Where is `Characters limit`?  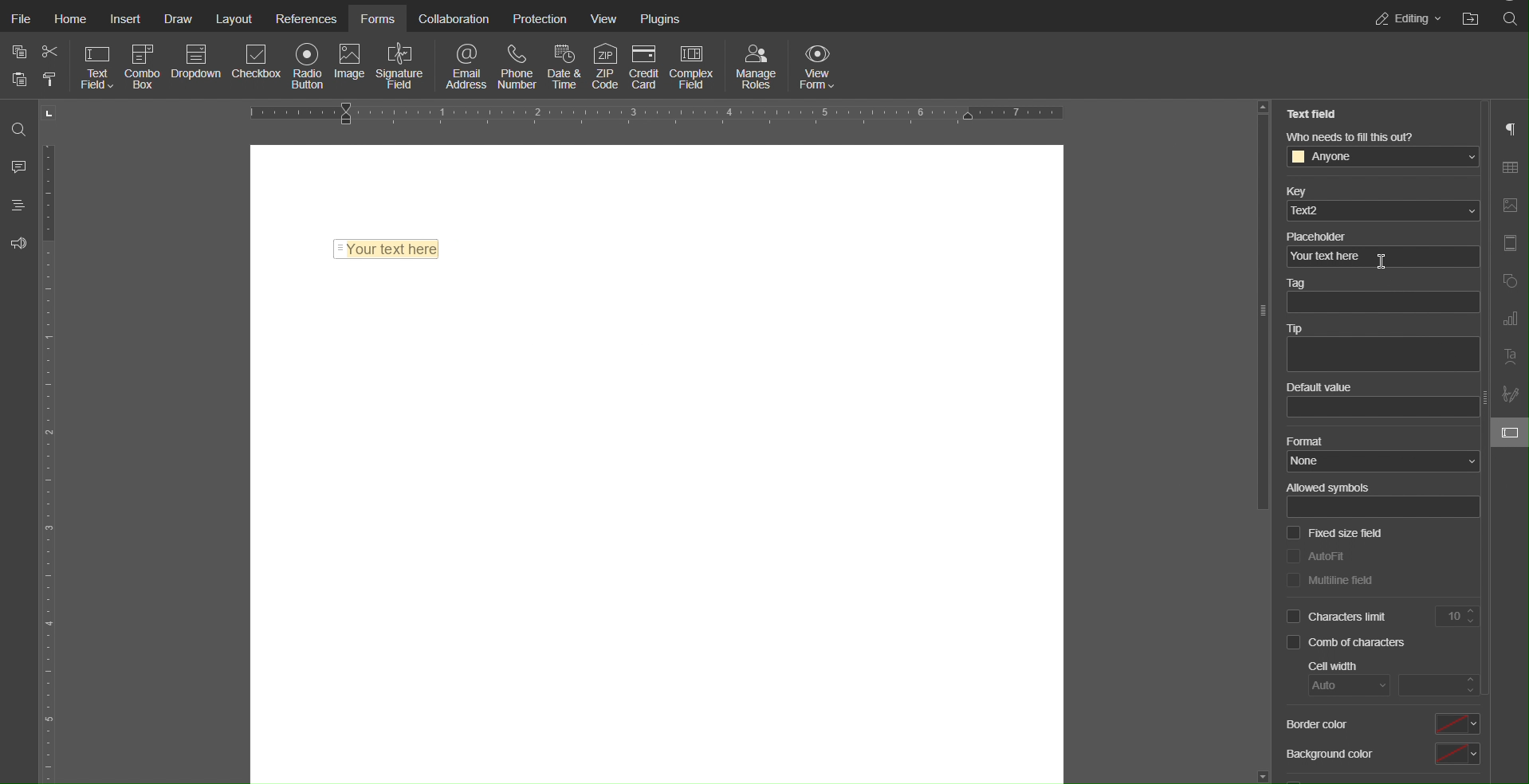
Characters limit is located at coordinates (1339, 616).